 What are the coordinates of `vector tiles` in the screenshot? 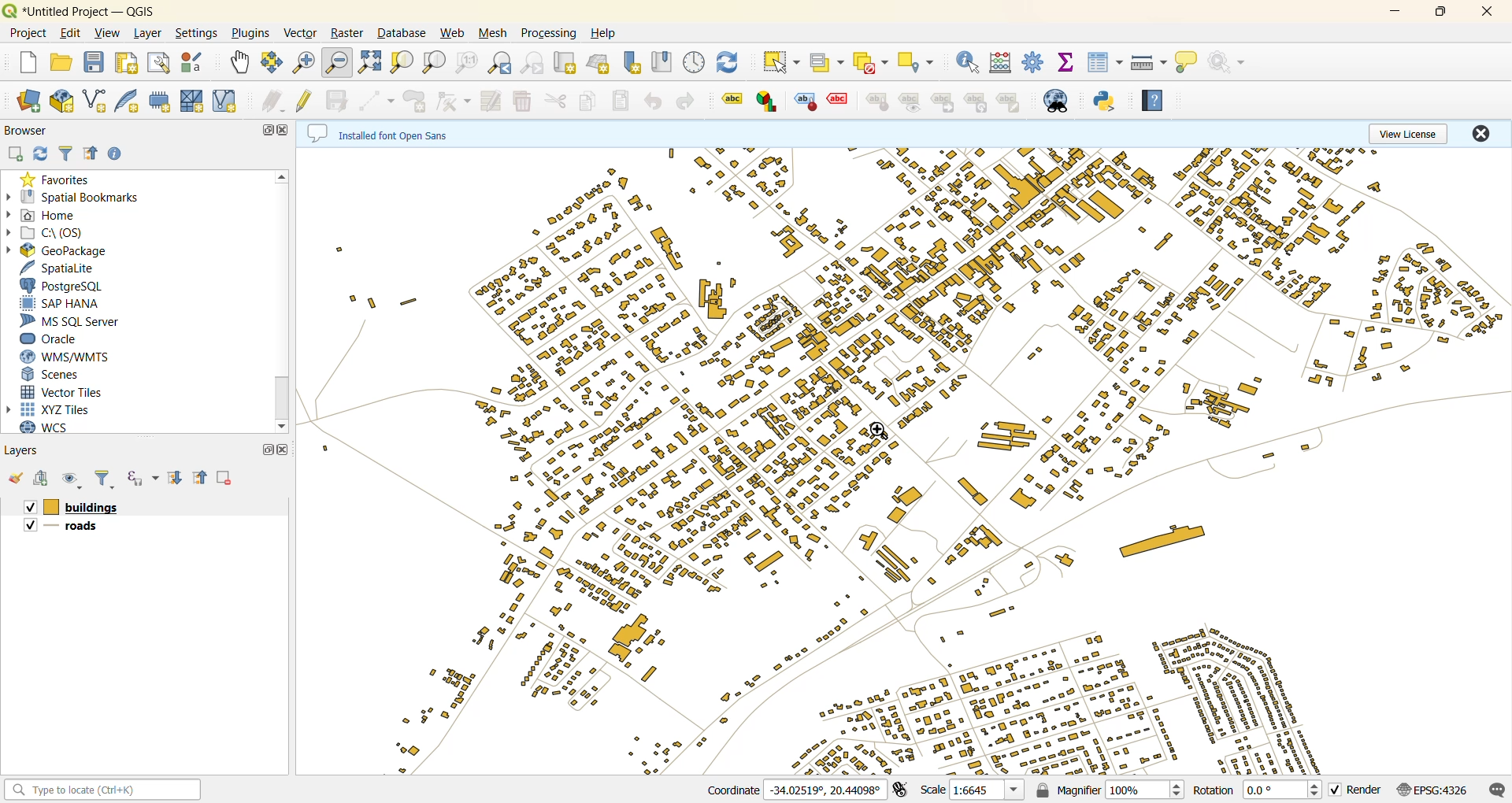 It's located at (66, 390).